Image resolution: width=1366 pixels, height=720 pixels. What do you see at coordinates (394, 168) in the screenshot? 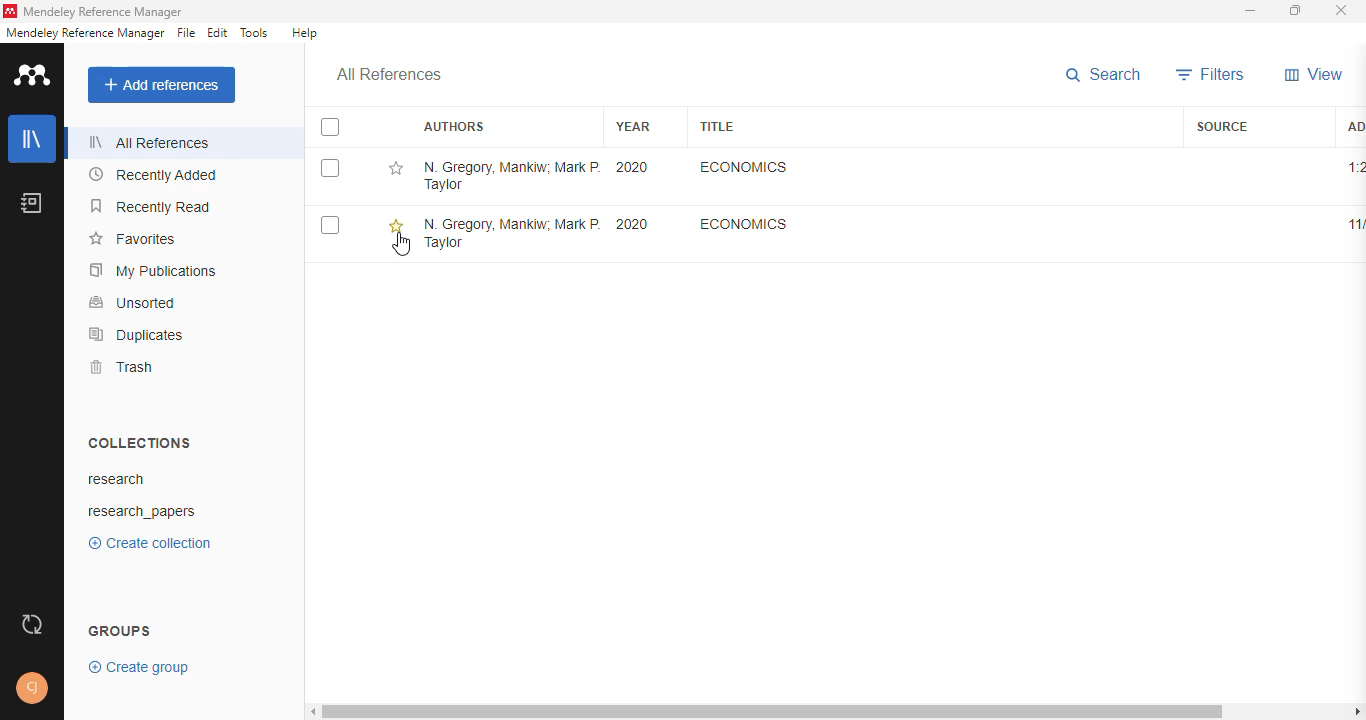
I see `add this reference to favorites` at bounding box center [394, 168].